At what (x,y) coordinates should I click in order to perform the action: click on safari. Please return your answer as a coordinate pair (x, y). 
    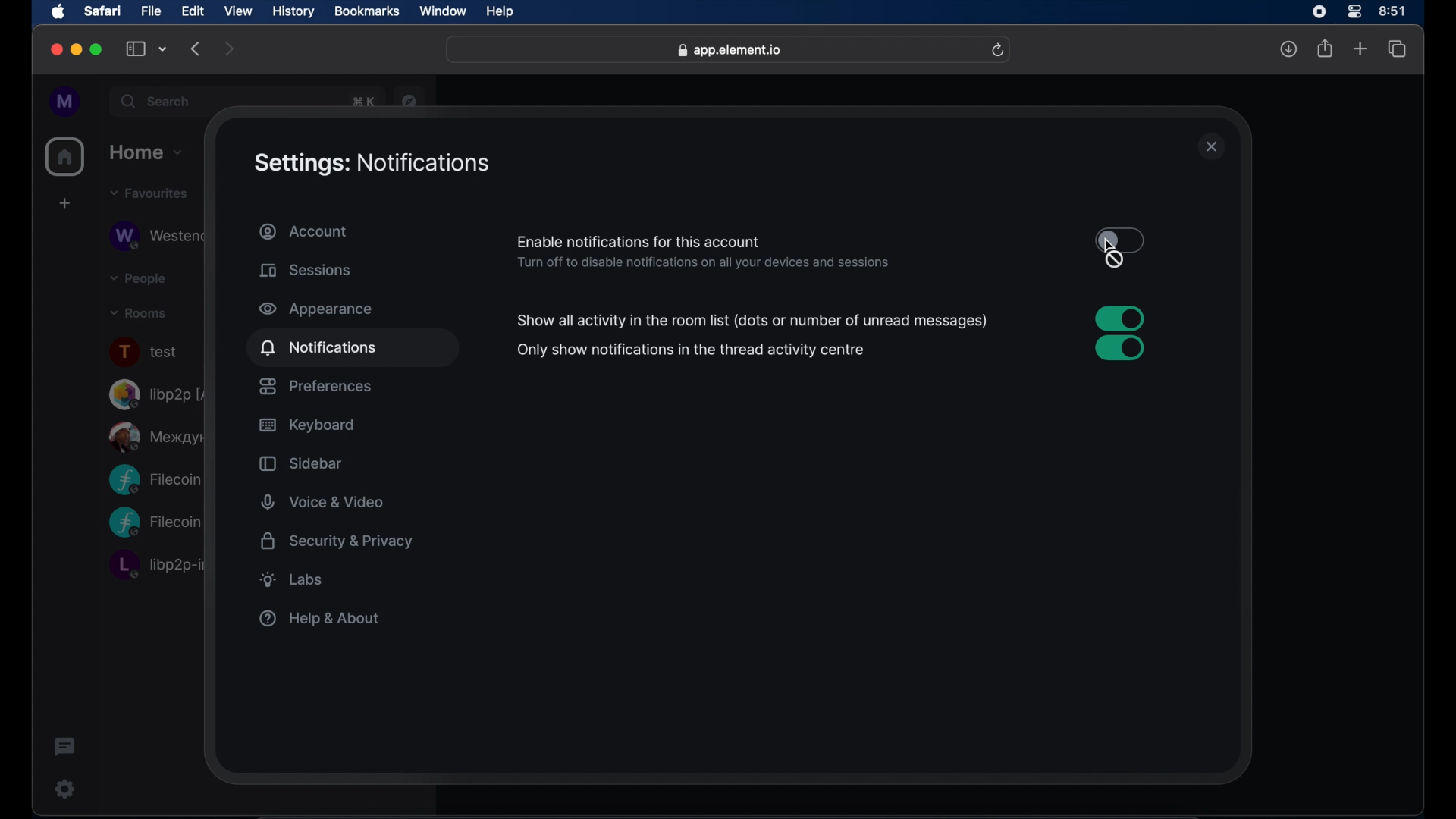
    Looking at the image, I should click on (104, 11).